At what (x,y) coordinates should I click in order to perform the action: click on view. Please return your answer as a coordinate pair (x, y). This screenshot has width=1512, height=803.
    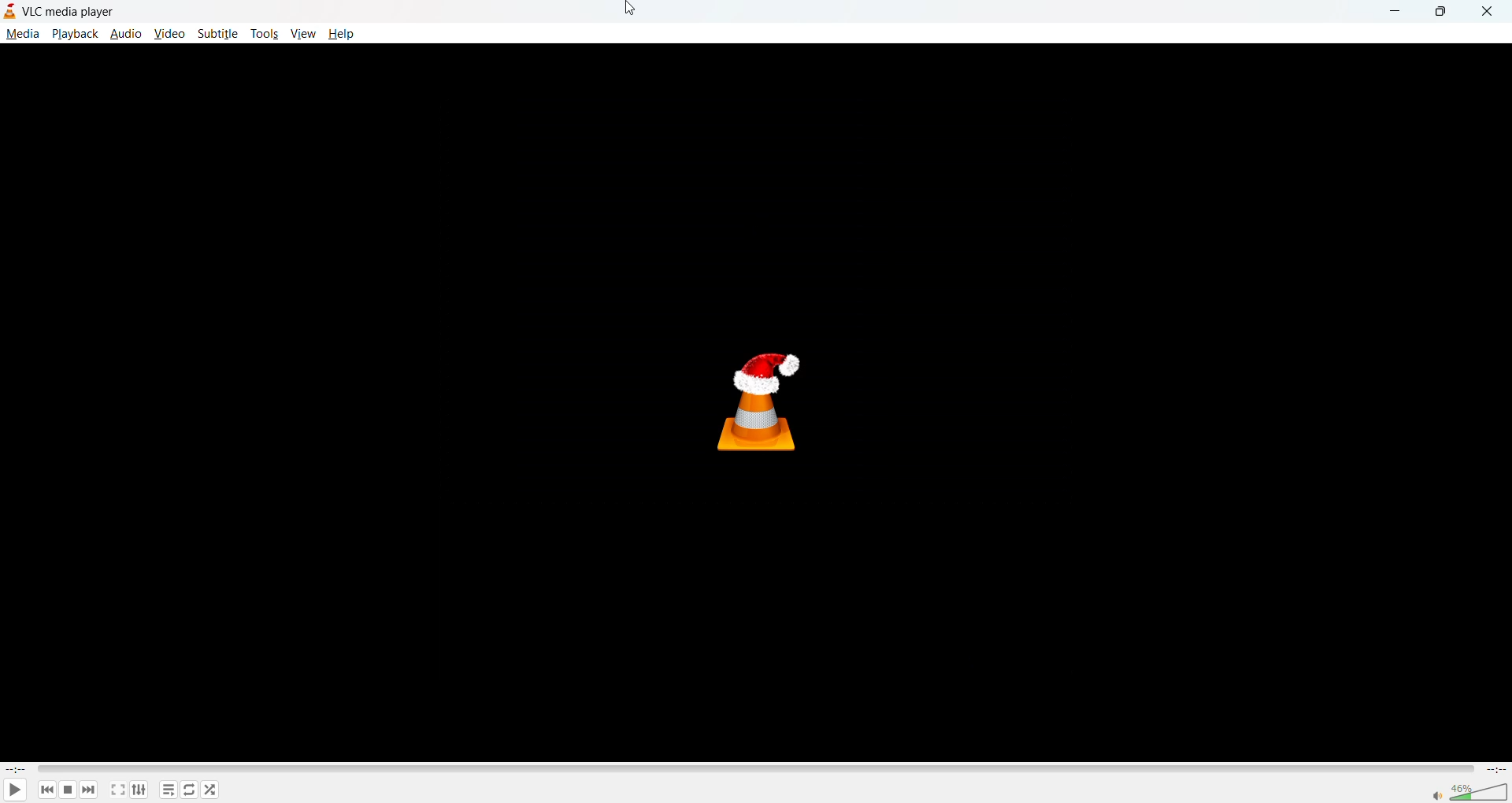
    Looking at the image, I should click on (302, 31).